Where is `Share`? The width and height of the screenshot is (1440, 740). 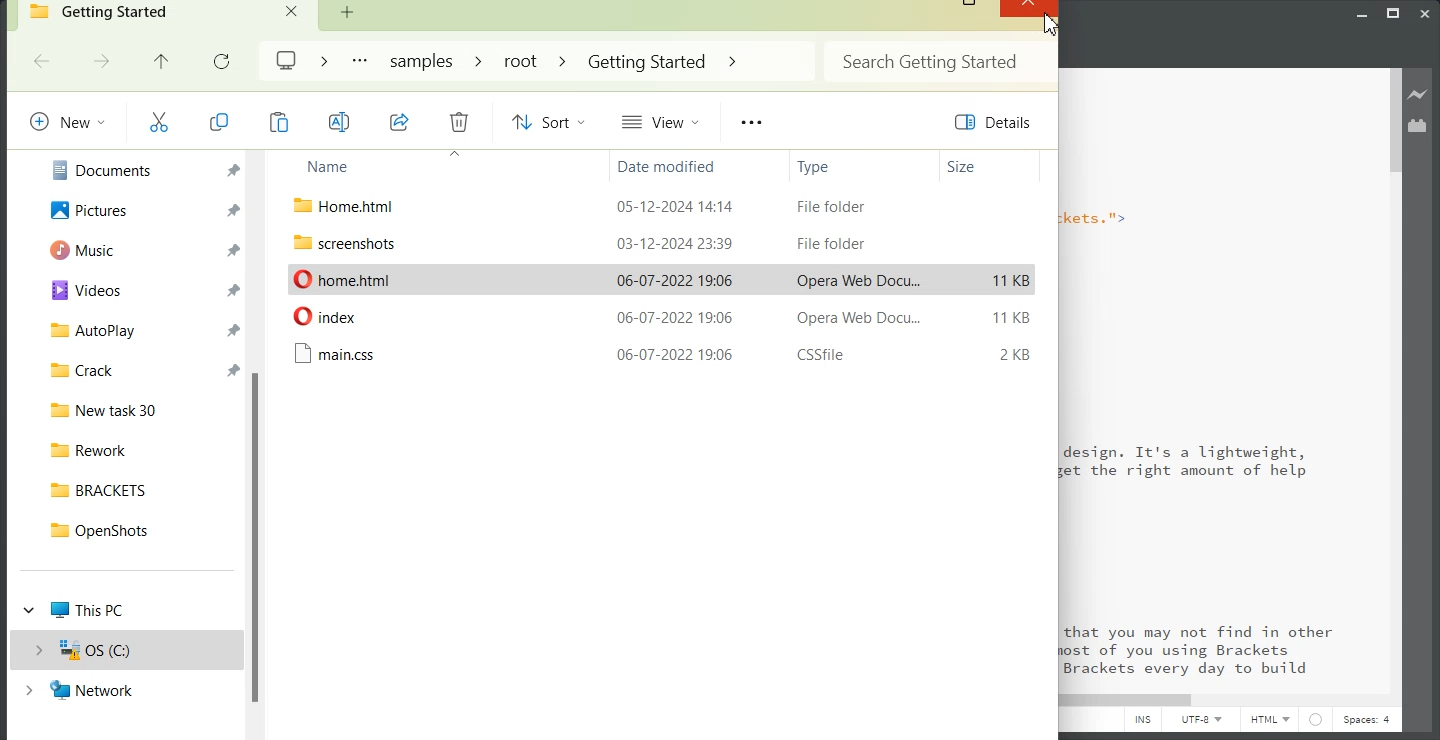 Share is located at coordinates (400, 122).